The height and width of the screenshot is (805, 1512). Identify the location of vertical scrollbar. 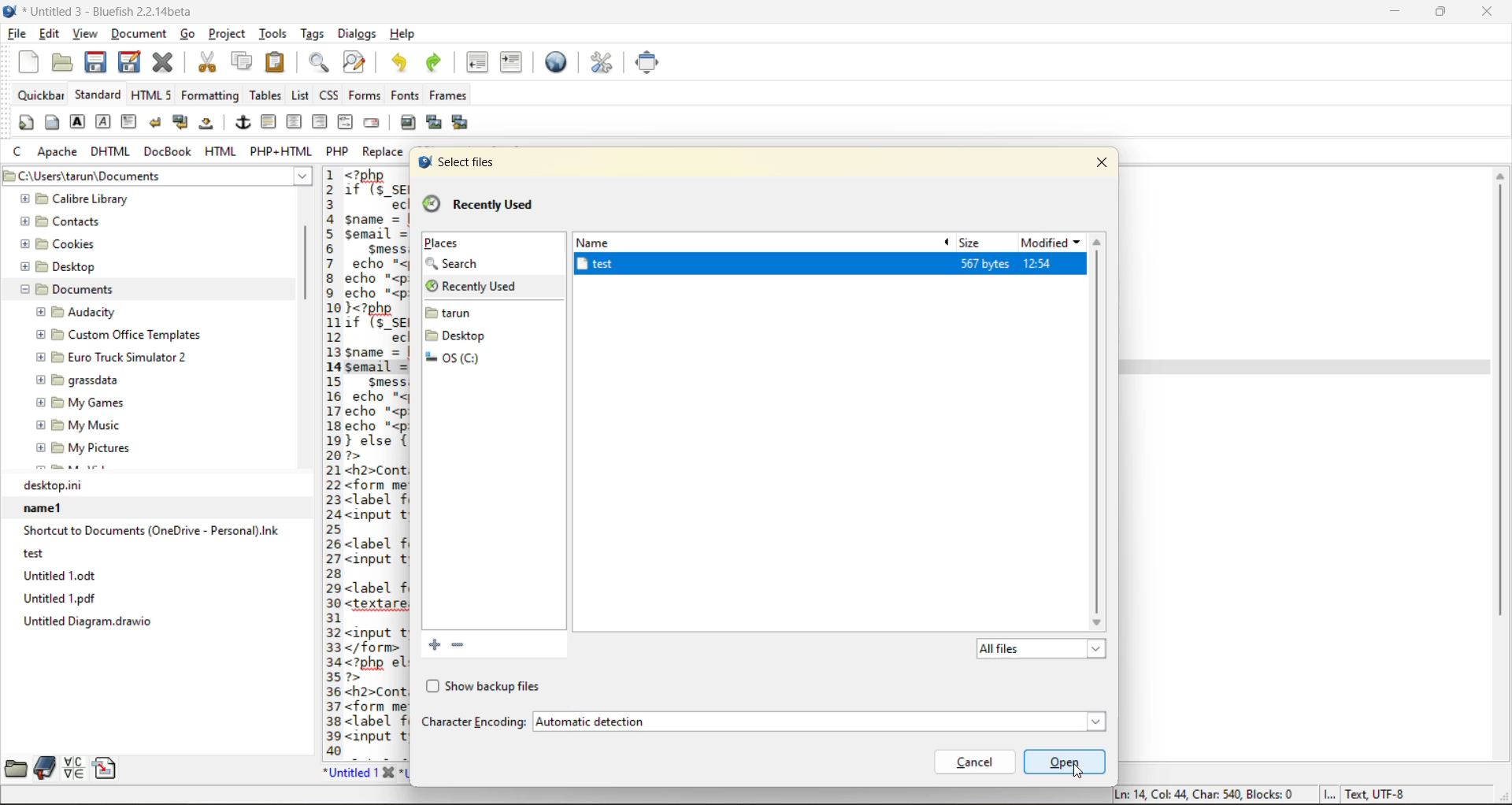
(1500, 463).